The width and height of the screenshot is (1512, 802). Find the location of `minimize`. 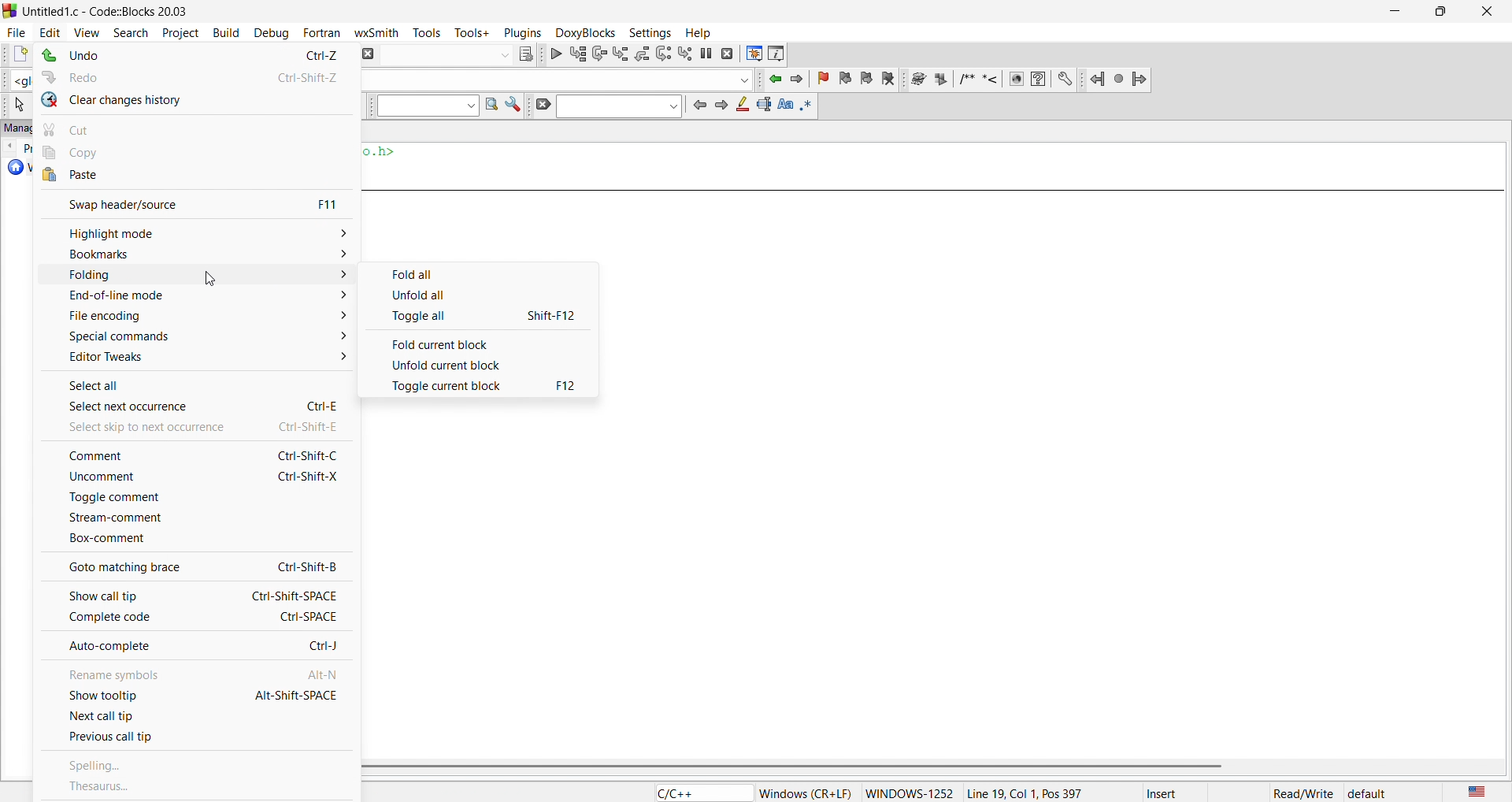

minimize is located at coordinates (1392, 12).